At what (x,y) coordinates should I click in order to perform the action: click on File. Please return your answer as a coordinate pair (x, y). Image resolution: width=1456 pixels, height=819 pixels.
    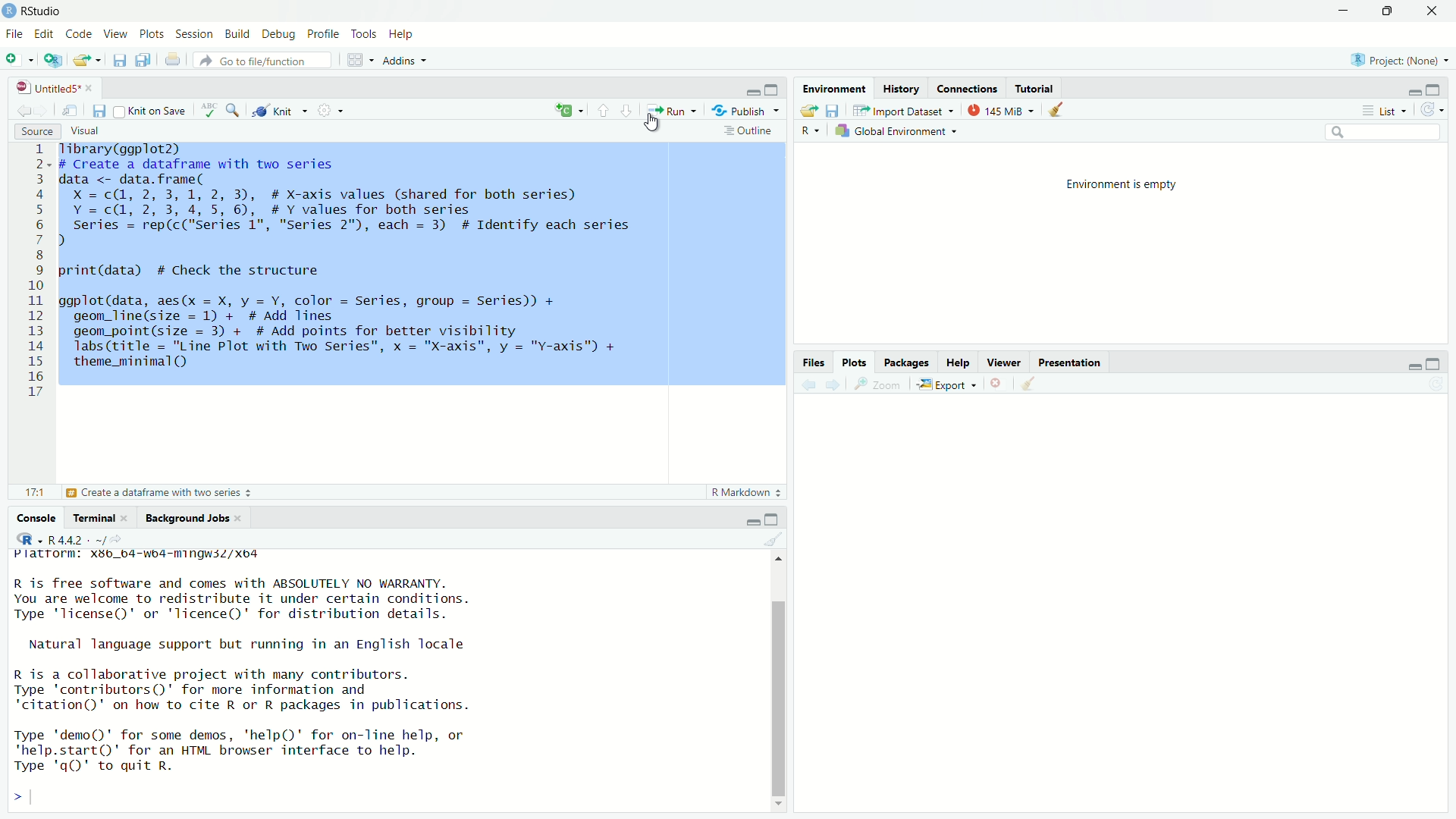
    Looking at the image, I should click on (14, 35).